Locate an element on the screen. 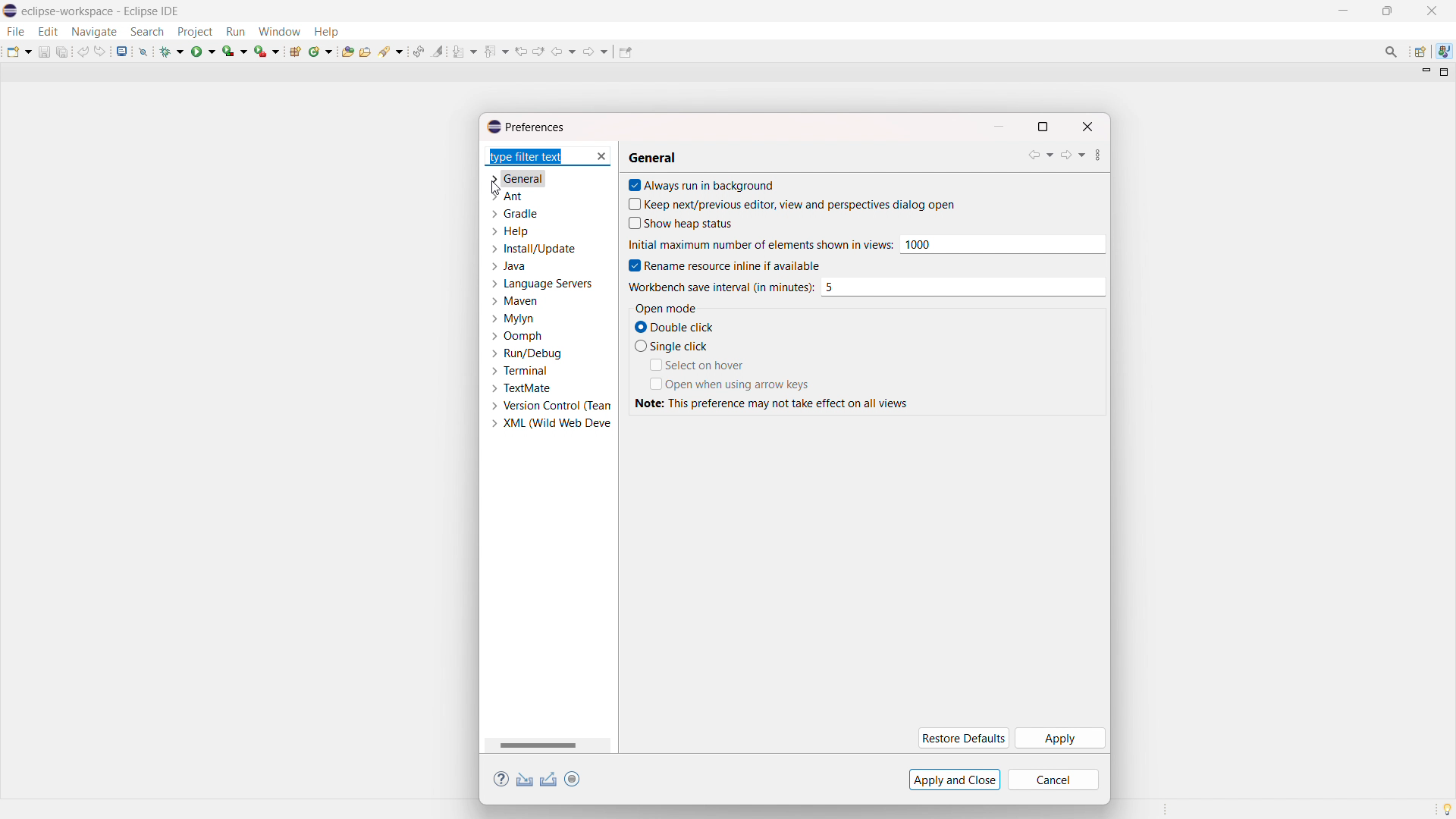 The image size is (1456, 819). restore defaults is located at coordinates (962, 739).